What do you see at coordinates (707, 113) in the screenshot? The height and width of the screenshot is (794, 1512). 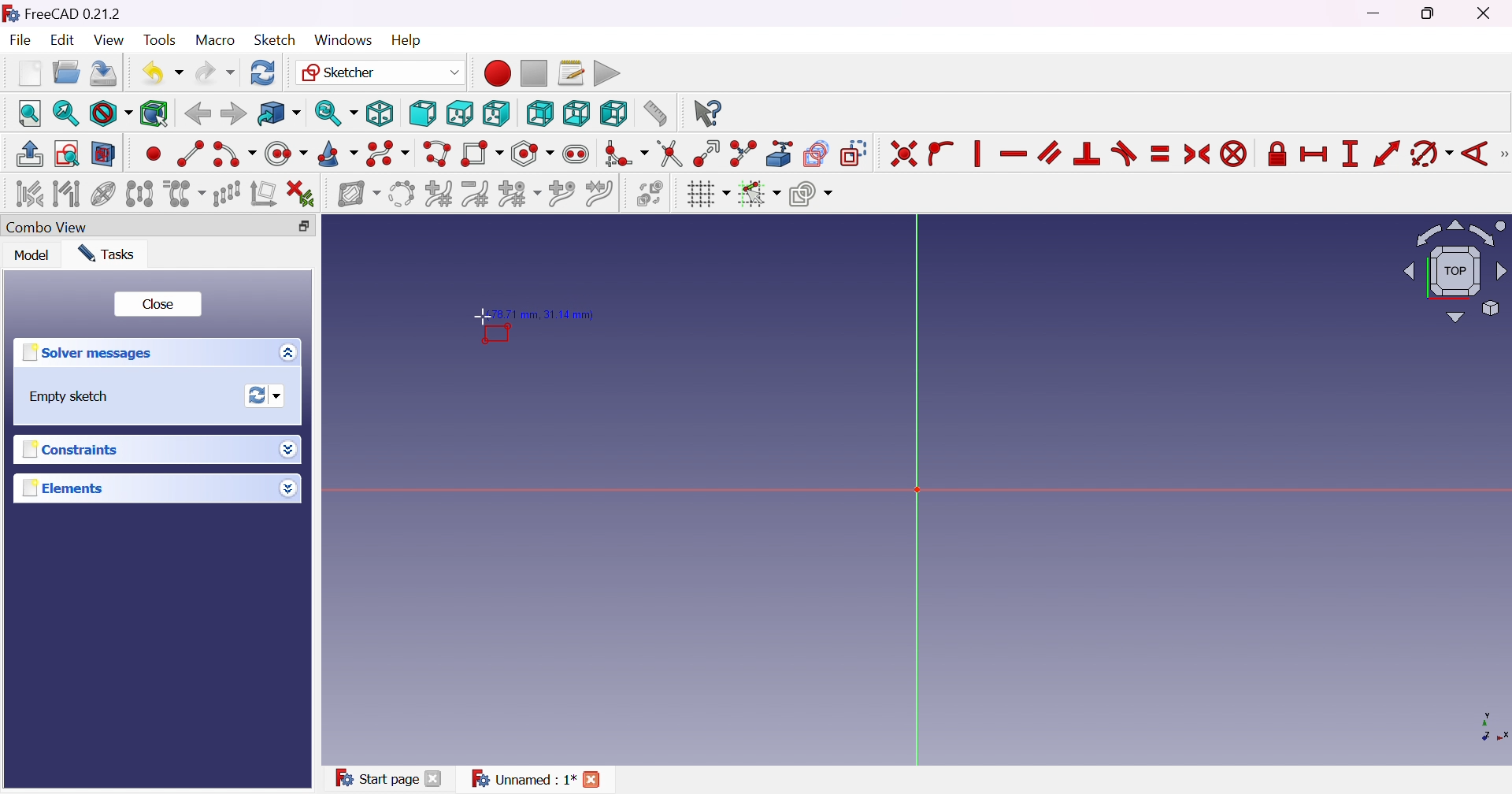 I see `What's this` at bounding box center [707, 113].